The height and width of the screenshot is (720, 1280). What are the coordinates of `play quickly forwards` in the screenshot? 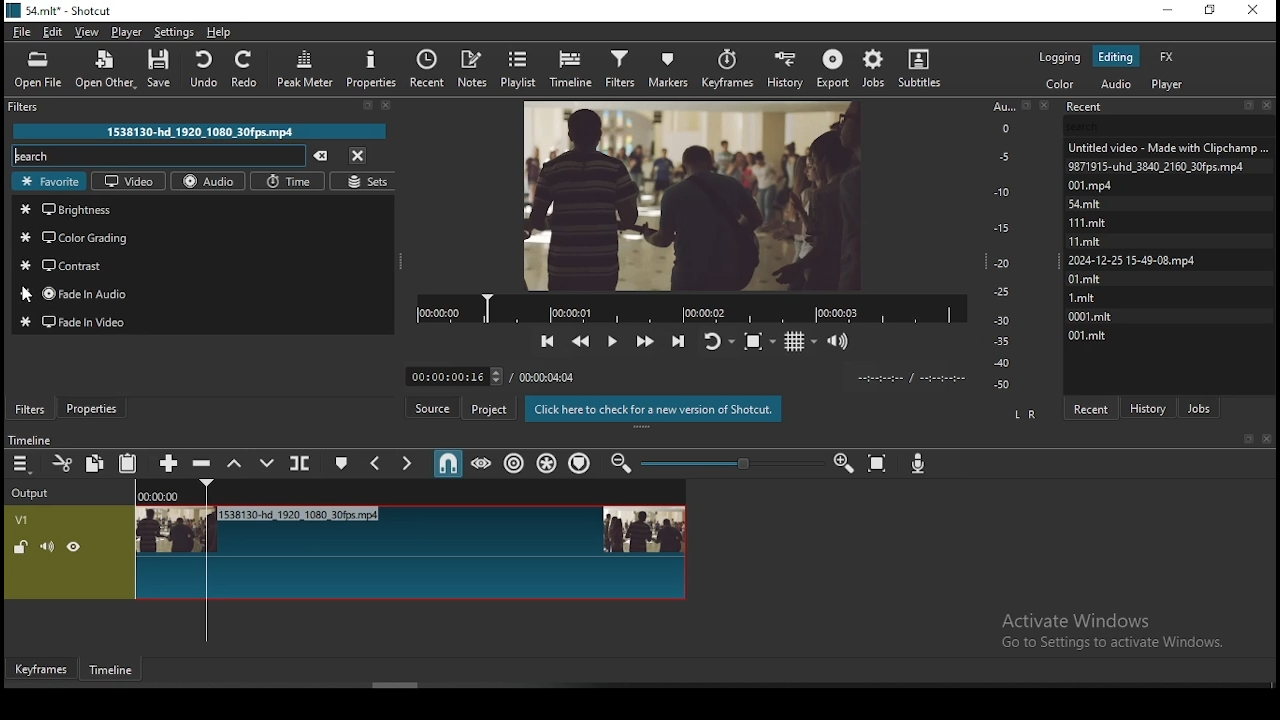 It's located at (646, 338).